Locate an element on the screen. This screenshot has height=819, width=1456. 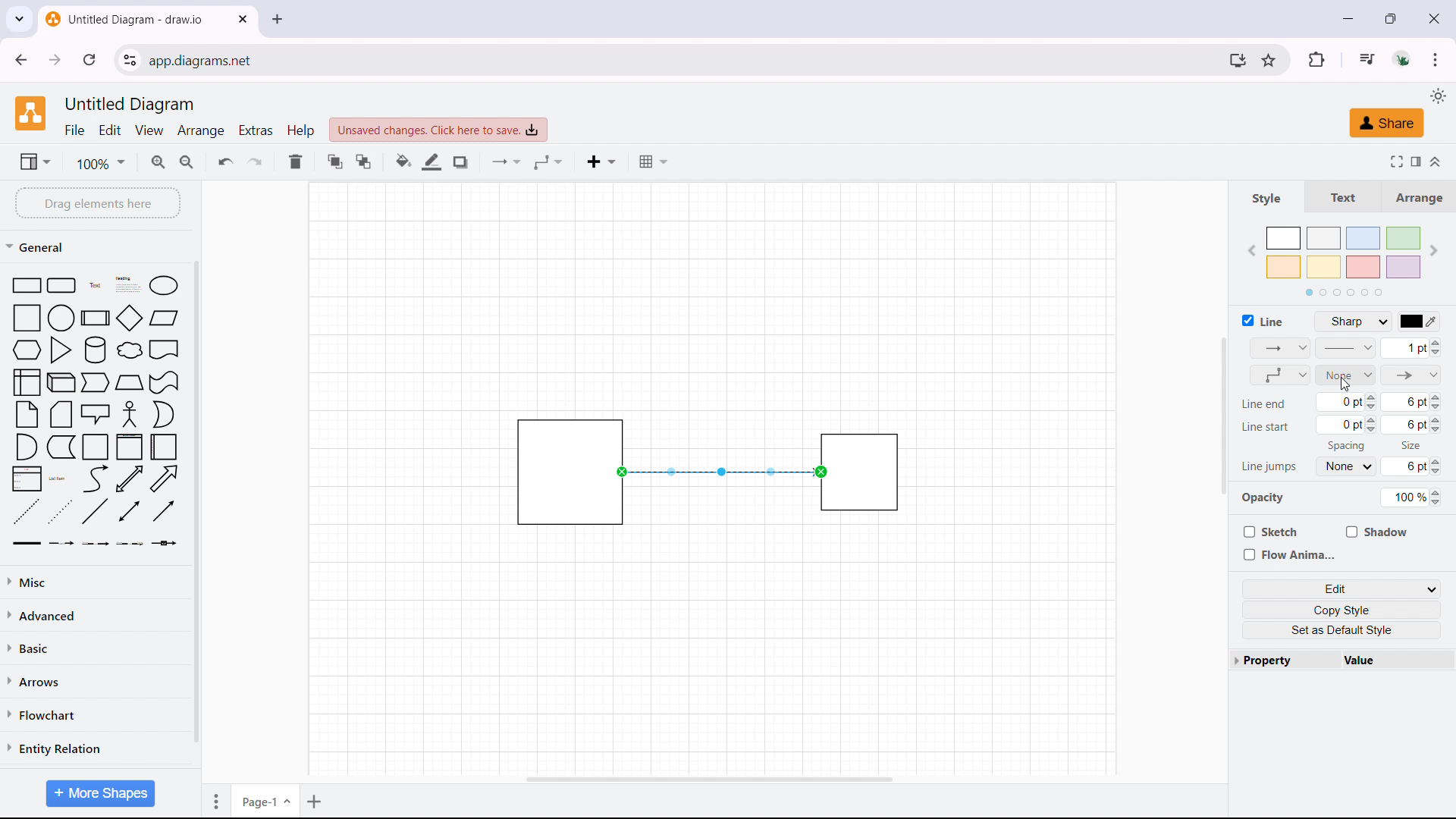
line color is located at coordinates (1420, 321).